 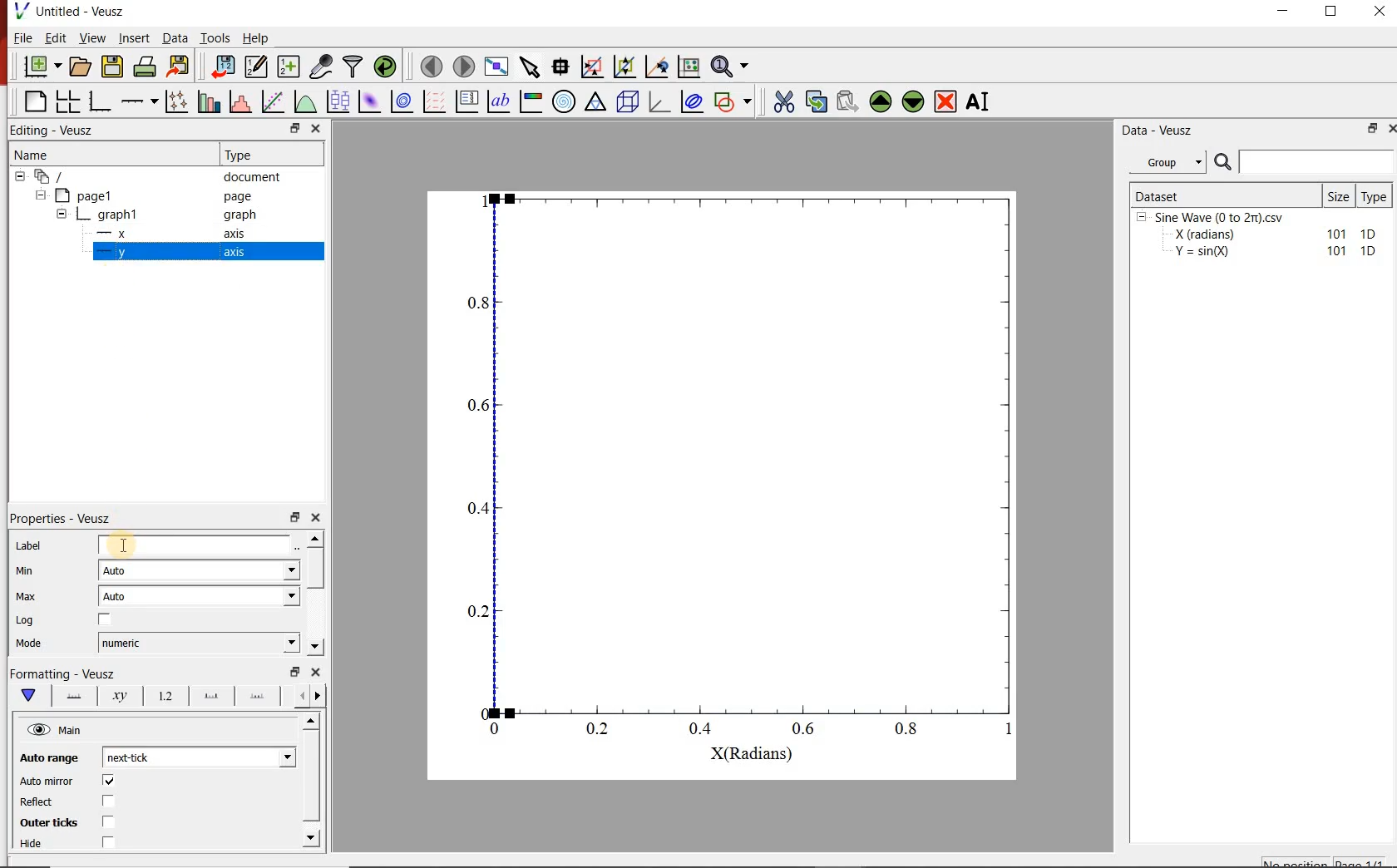 I want to click on Base graph, so click(x=101, y=101).